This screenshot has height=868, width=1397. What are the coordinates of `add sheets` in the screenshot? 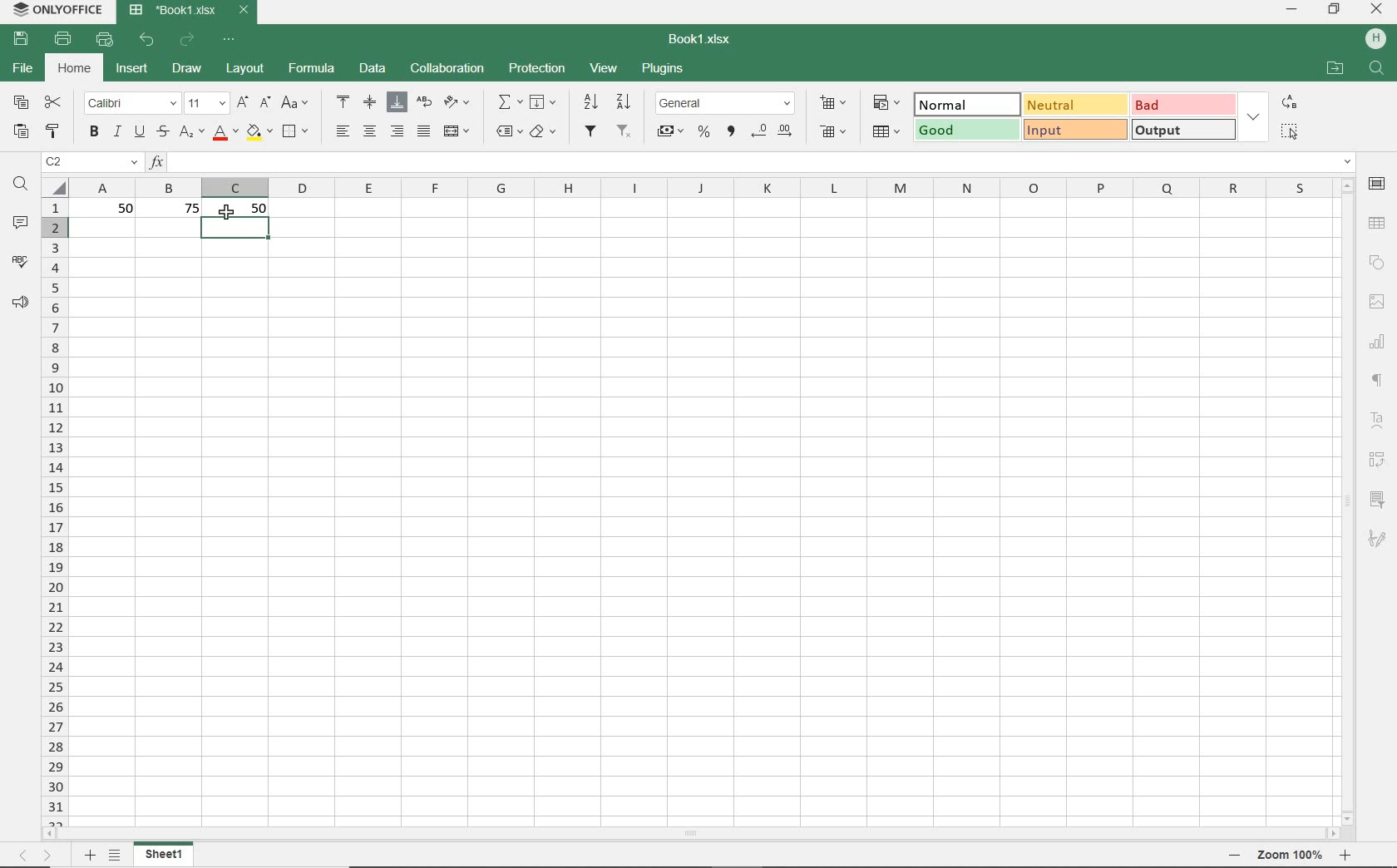 It's located at (90, 855).